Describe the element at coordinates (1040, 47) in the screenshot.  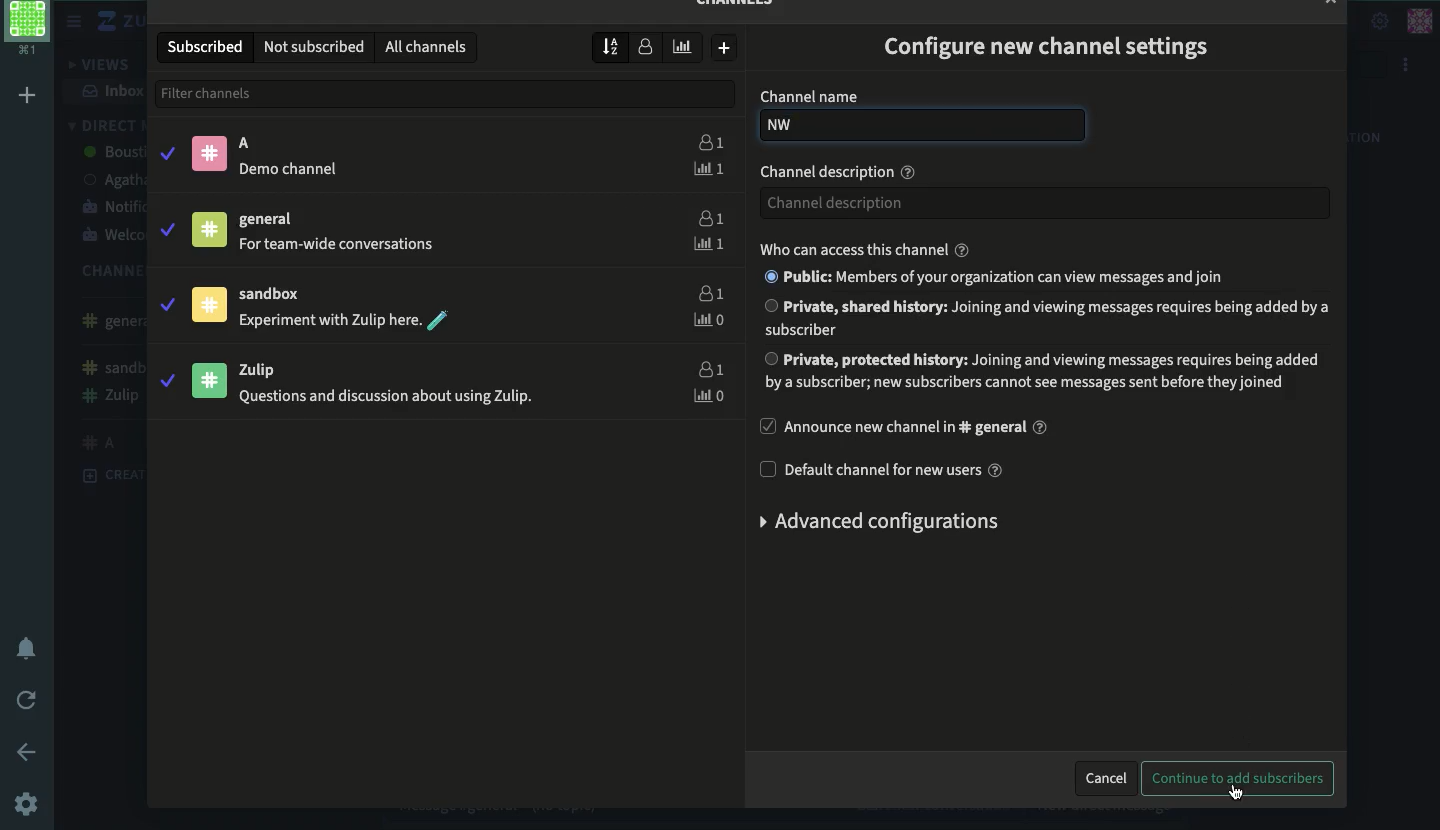
I see `configure new channel settings` at that location.